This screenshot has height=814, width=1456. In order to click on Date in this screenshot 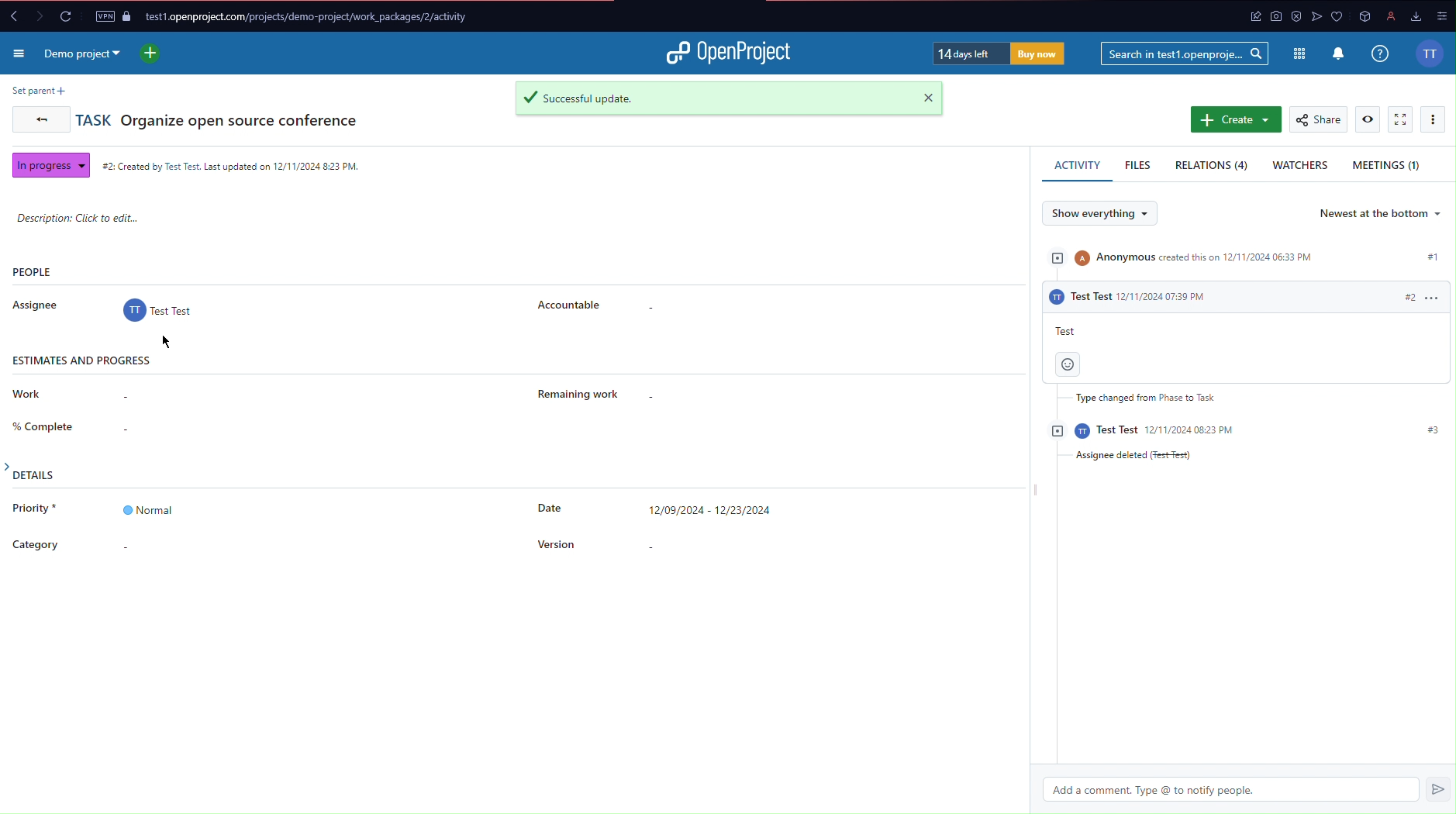, I will do `click(653, 507)`.